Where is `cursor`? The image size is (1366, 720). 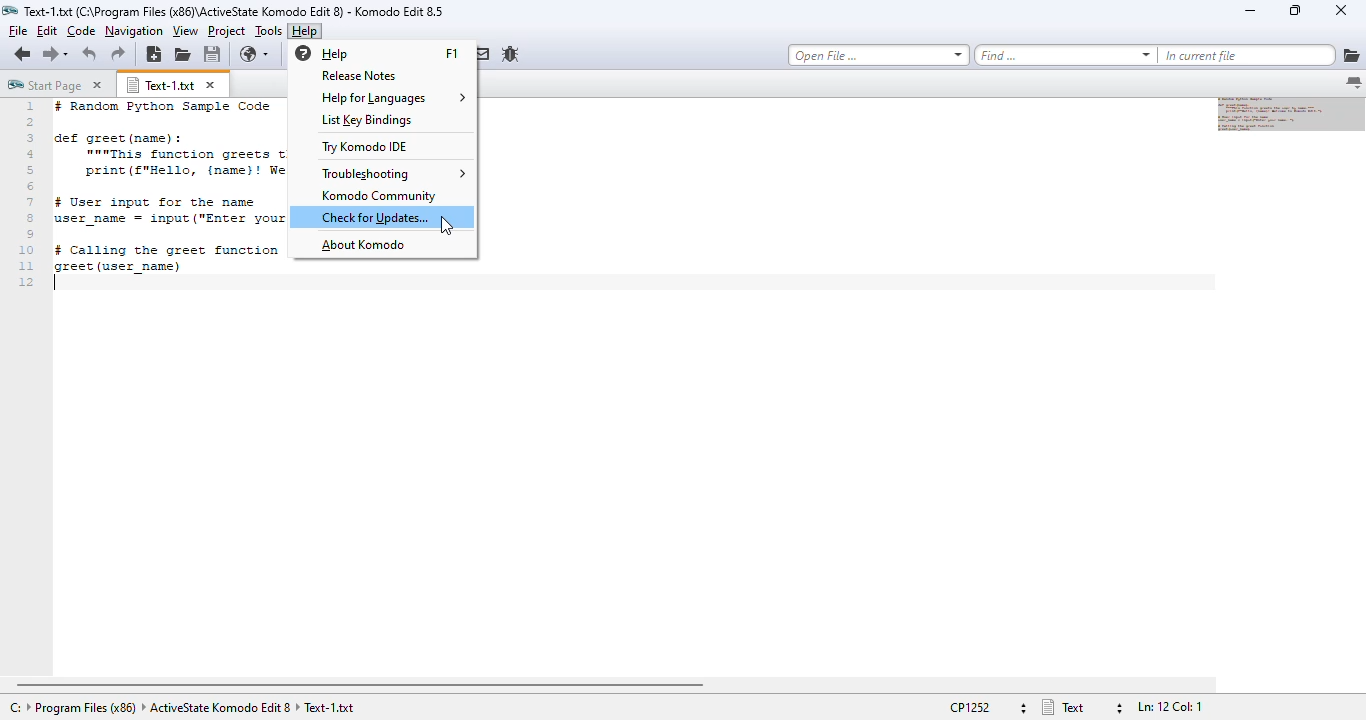 cursor is located at coordinates (447, 226).